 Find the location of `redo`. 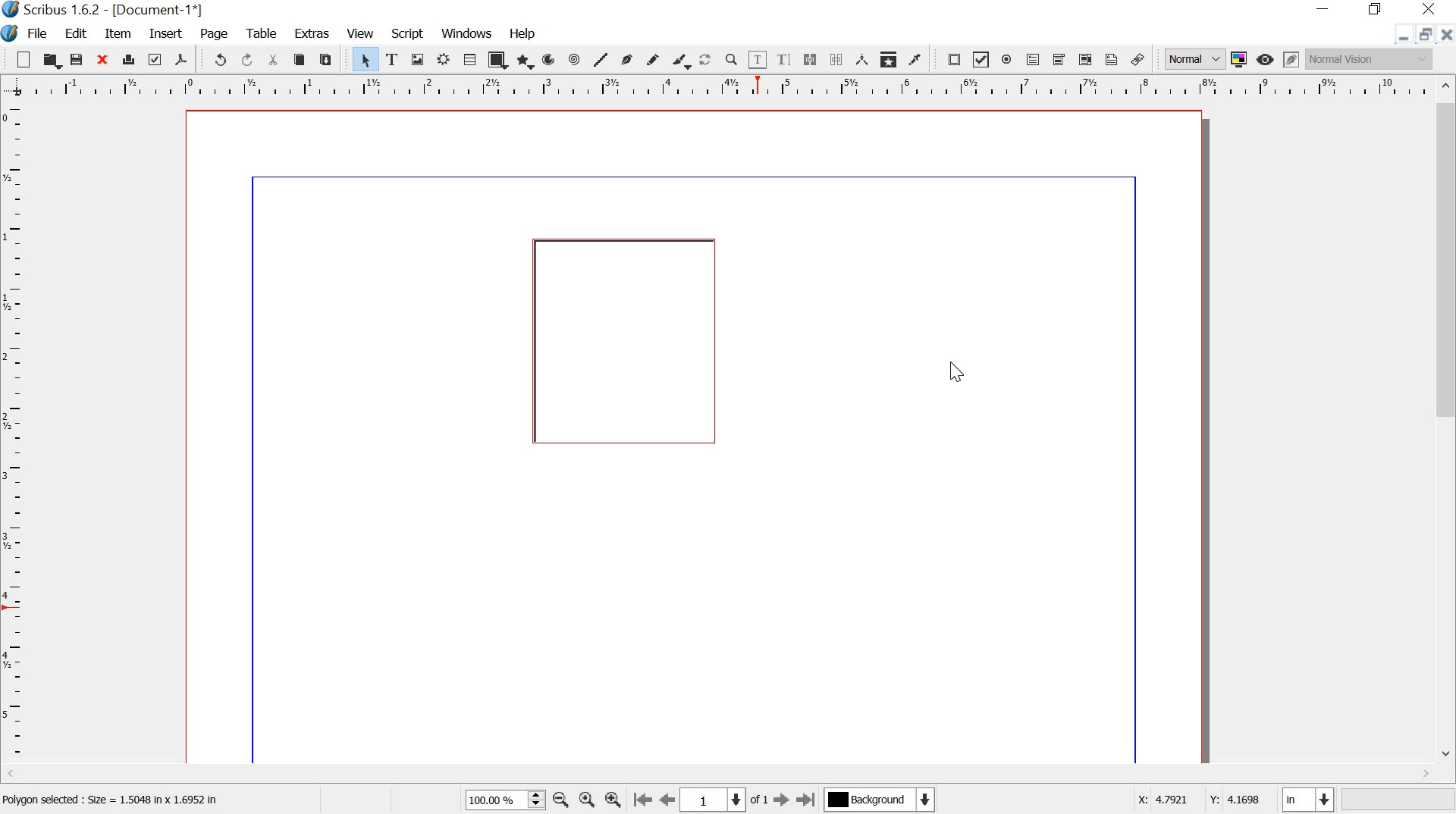

redo is located at coordinates (246, 61).